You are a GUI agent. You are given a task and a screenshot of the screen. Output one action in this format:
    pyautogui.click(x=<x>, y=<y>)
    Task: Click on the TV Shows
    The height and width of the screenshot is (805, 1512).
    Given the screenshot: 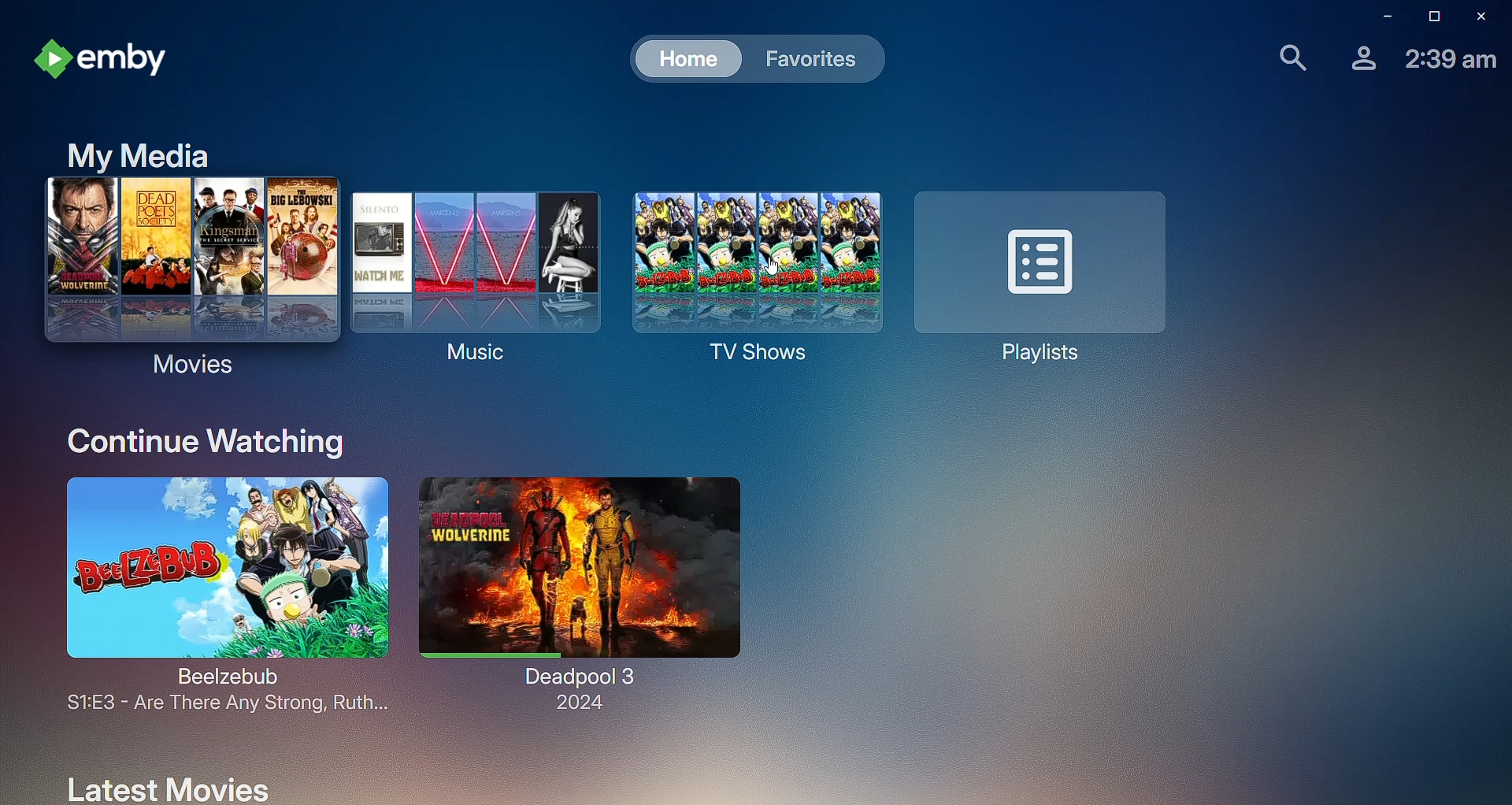 What is the action you would take?
    pyautogui.click(x=750, y=287)
    